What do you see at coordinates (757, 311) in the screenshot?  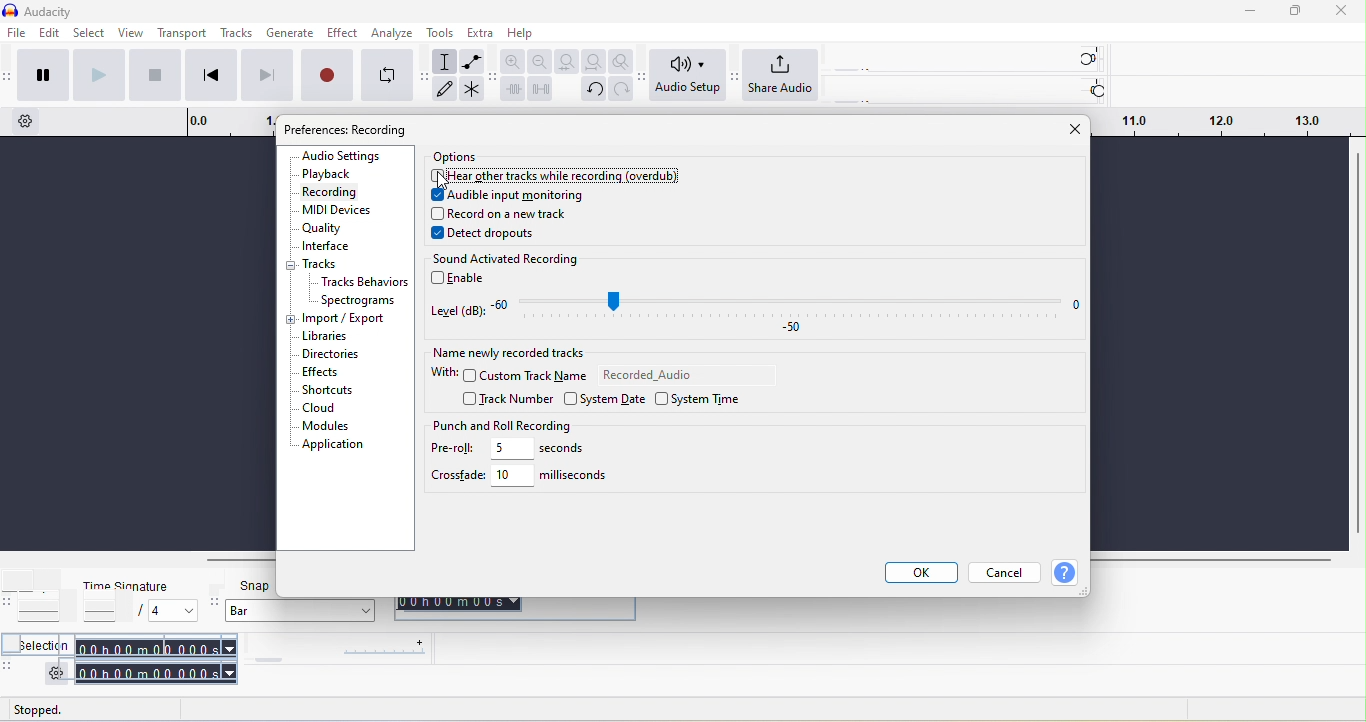 I see `level` at bounding box center [757, 311].